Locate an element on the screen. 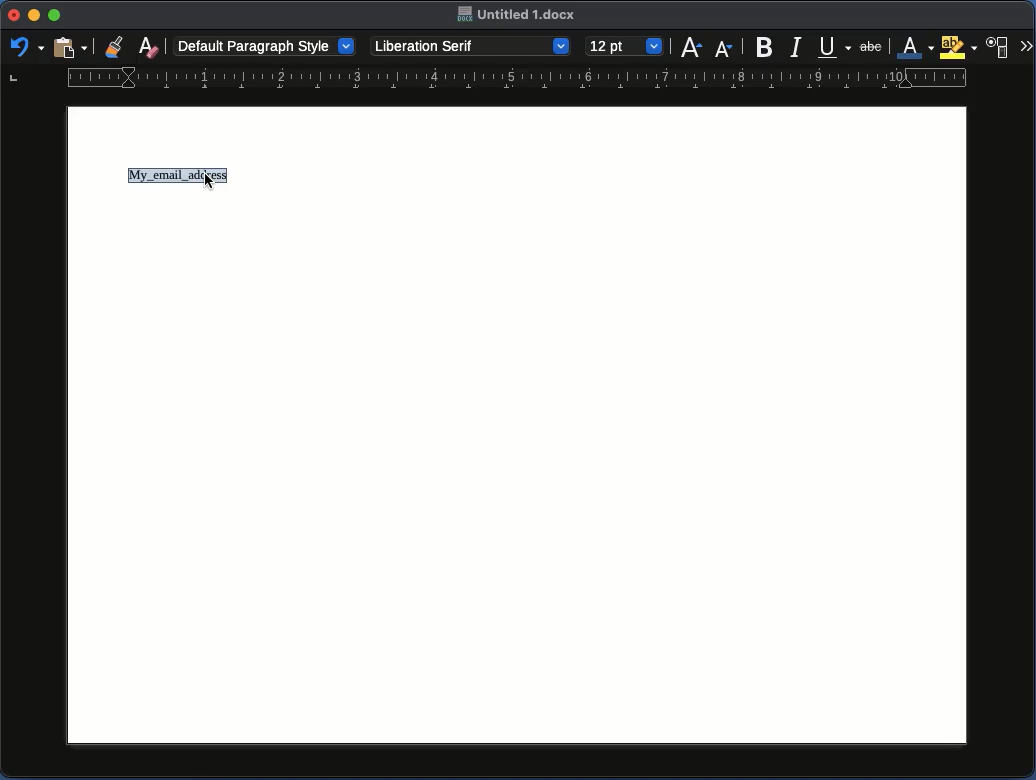 This screenshot has width=1036, height=780. Untitled. 1 docx is located at coordinates (518, 15).